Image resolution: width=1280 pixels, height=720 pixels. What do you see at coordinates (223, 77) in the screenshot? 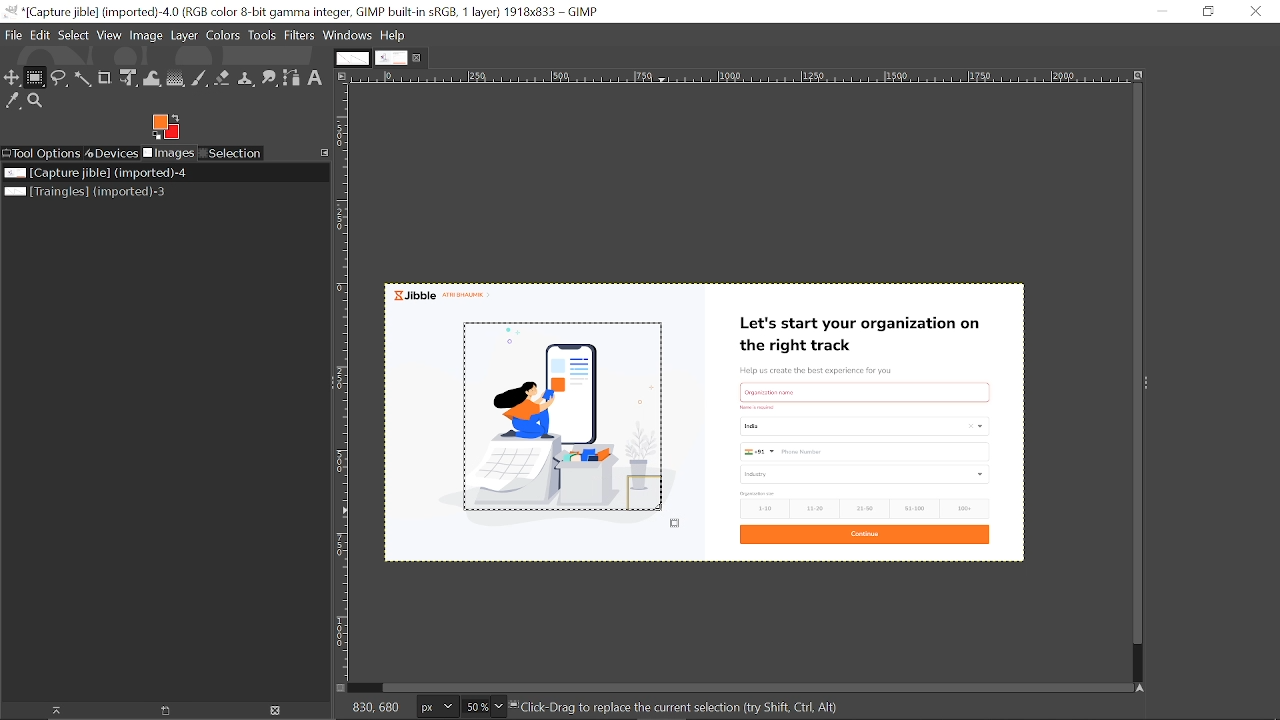
I see `Eraser tool` at bounding box center [223, 77].